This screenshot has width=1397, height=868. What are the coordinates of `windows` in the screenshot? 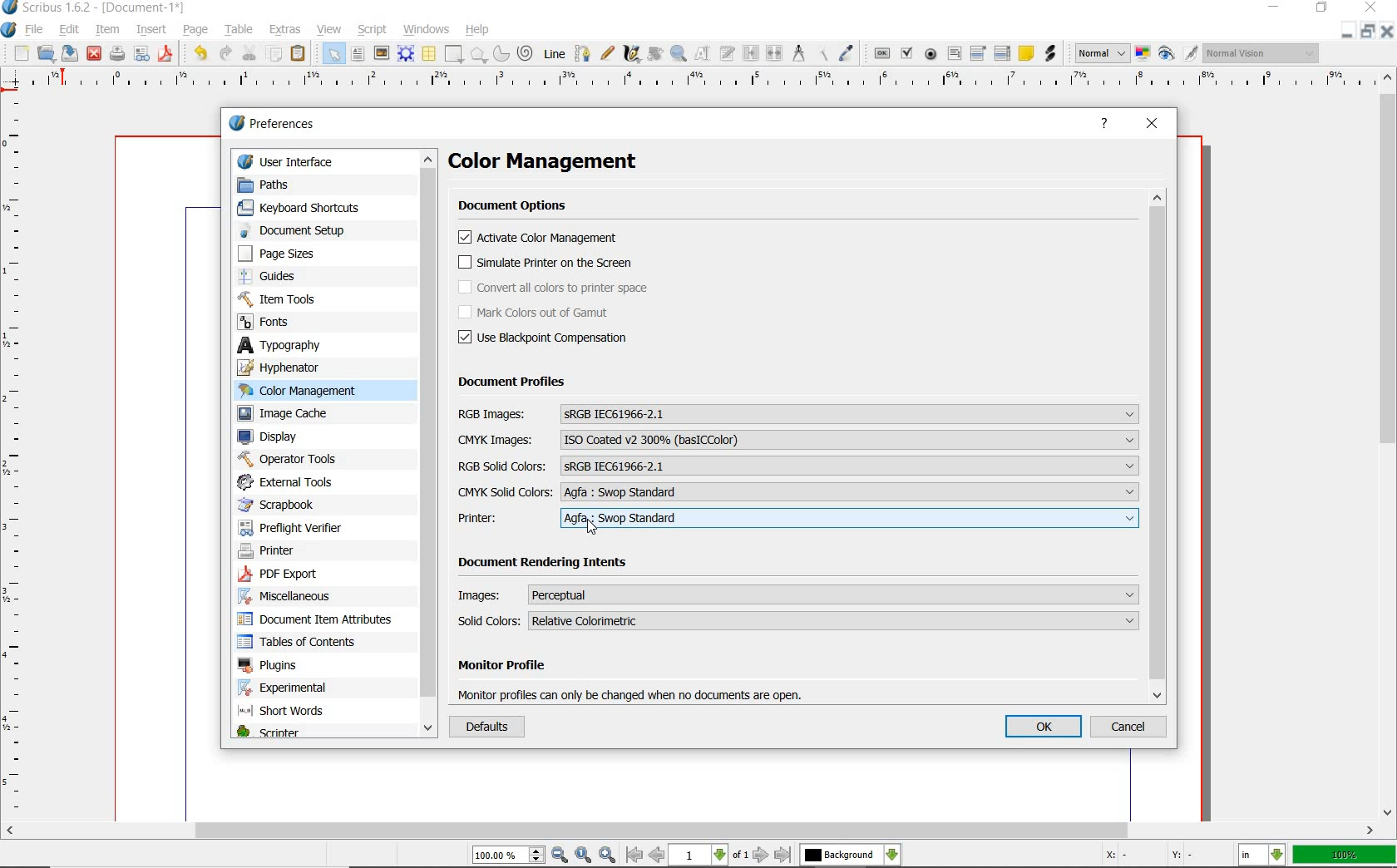 It's located at (427, 28).